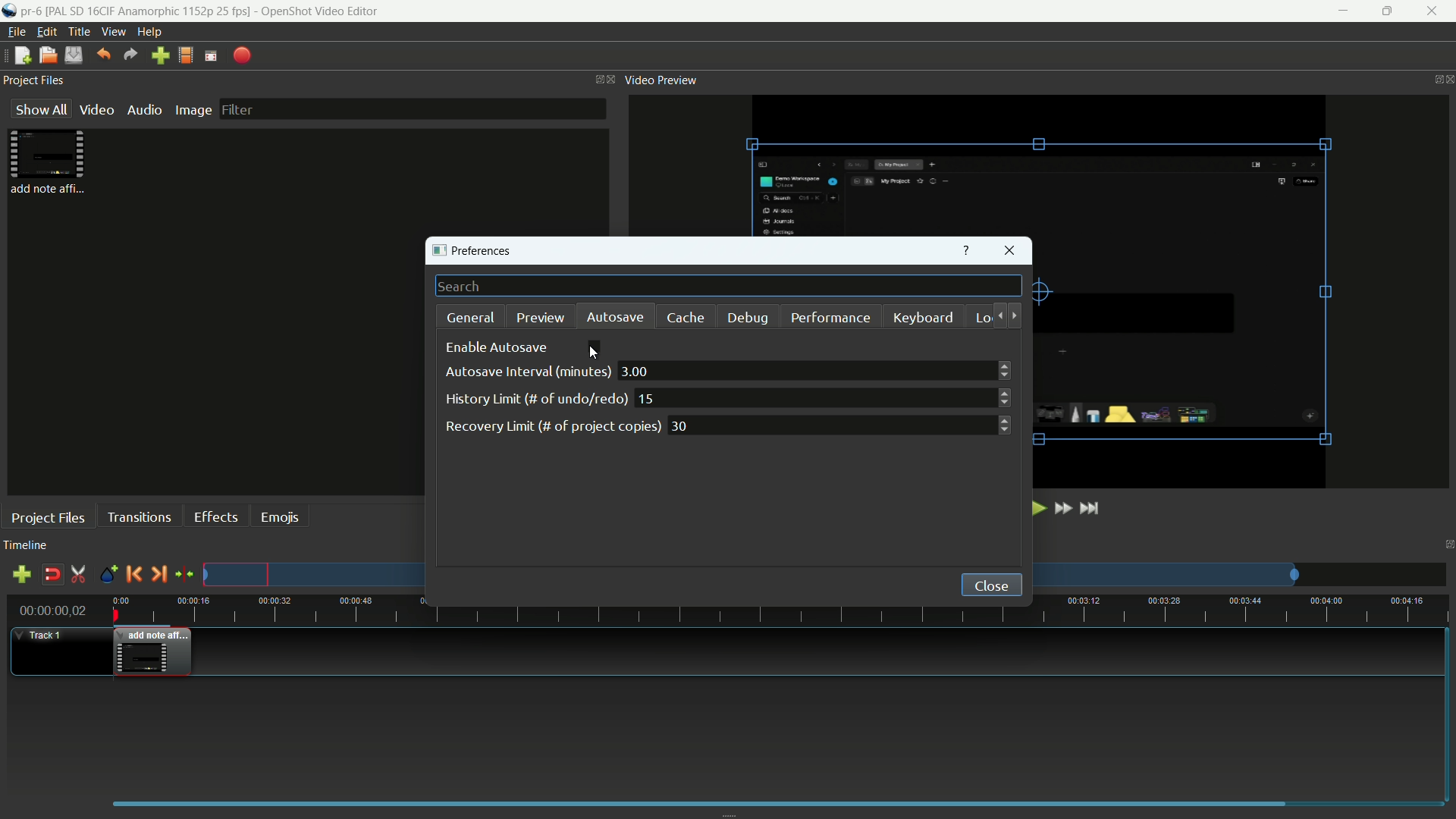  What do you see at coordinates (471, 251) in the screenshot?
I see `preferences` at bounding box center [471, 251].